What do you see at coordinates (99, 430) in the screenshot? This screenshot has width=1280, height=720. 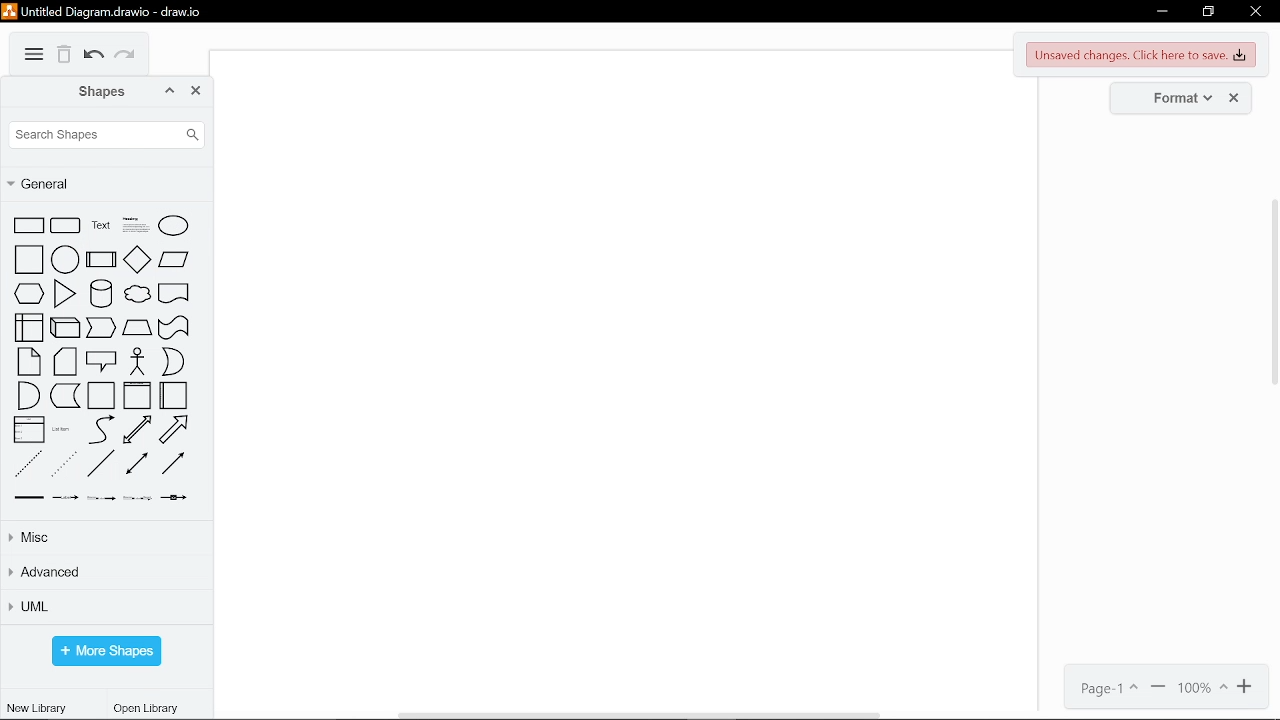 I see `curve` at bounding box center [99, 430].